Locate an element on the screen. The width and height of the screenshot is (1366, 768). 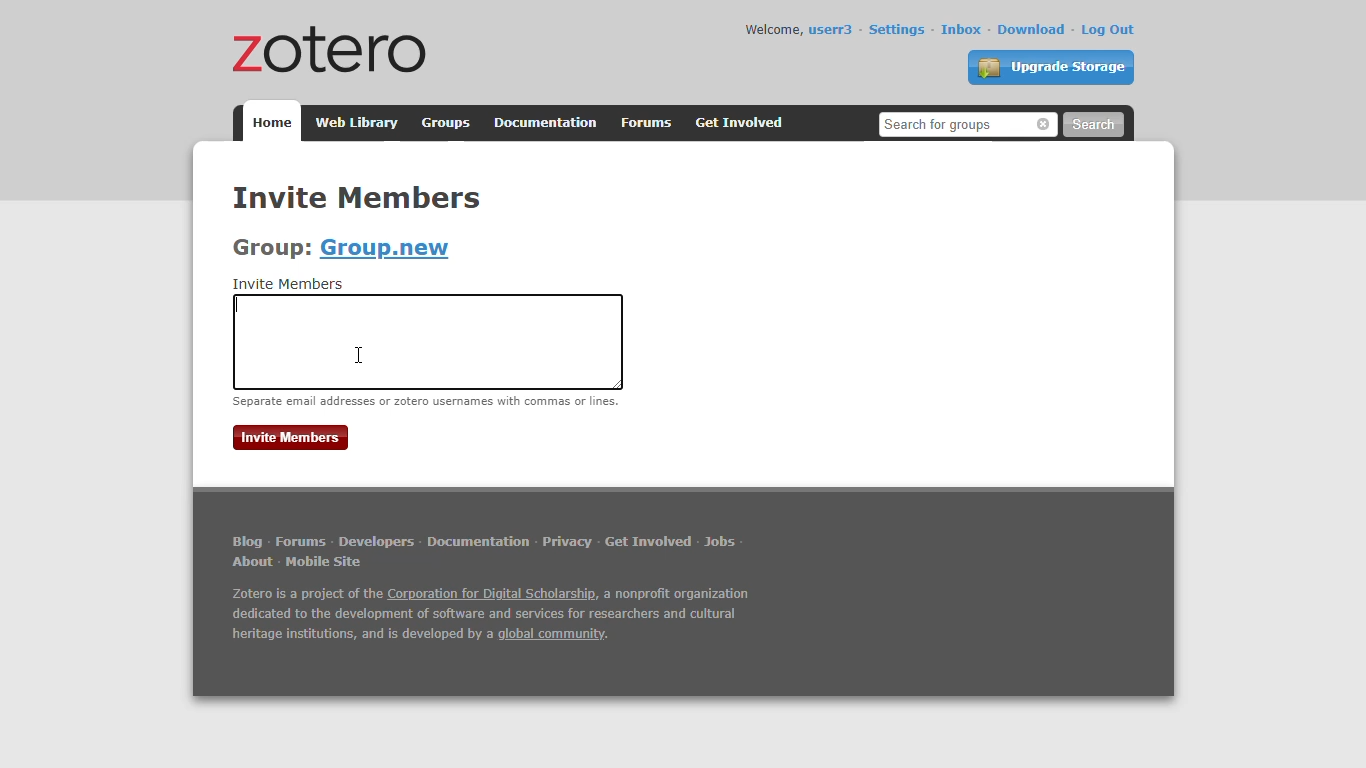
Zotero is a project of the Corporation for Digital Scholarship, a nonprofit organization
dedicated to the development of software and services for researchers and cultural
heritage institutions, and is developed by a global community. is located at coordinates (489, 616).